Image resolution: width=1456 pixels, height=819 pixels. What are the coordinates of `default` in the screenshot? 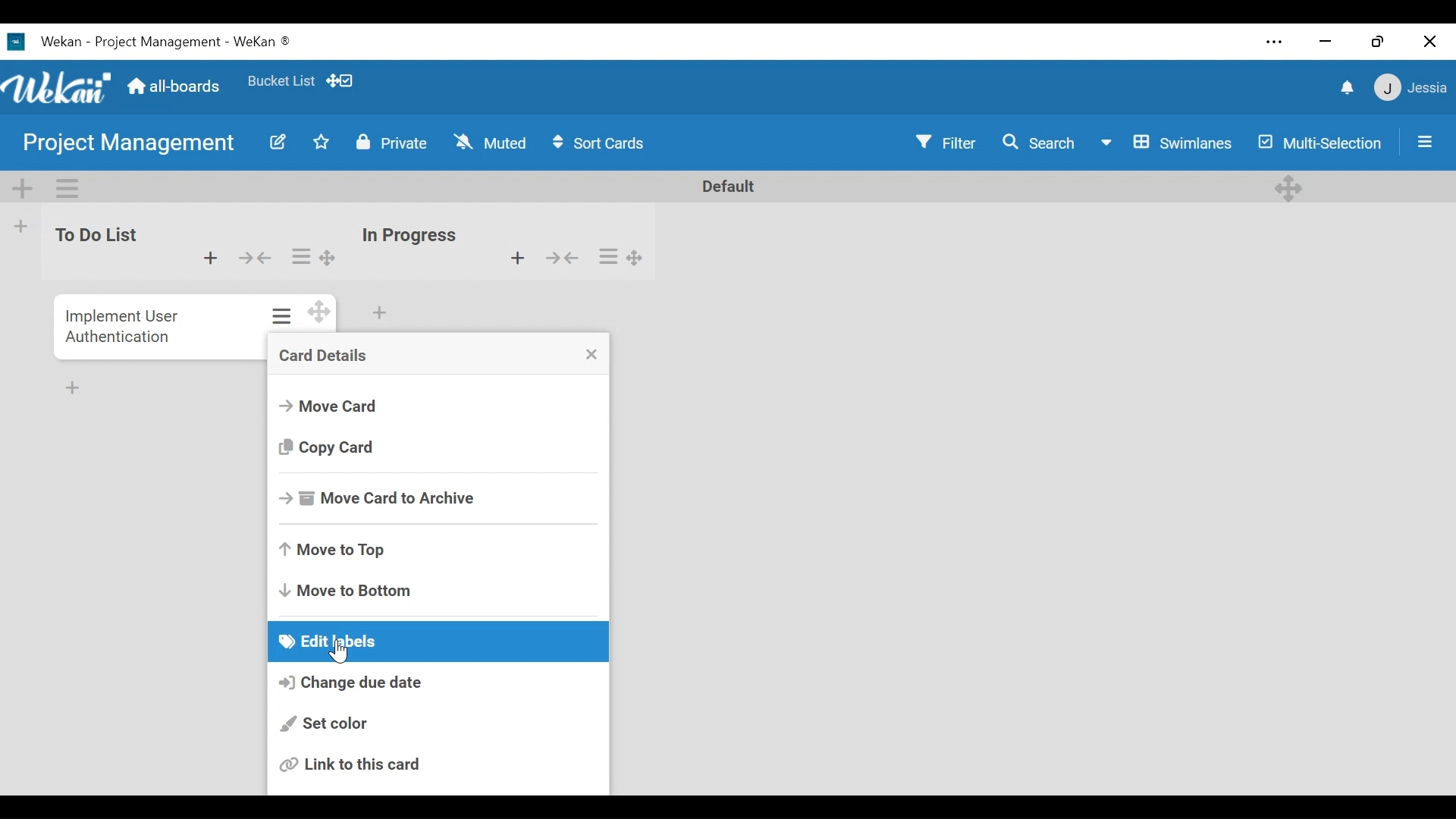 It's located at (718, 187).